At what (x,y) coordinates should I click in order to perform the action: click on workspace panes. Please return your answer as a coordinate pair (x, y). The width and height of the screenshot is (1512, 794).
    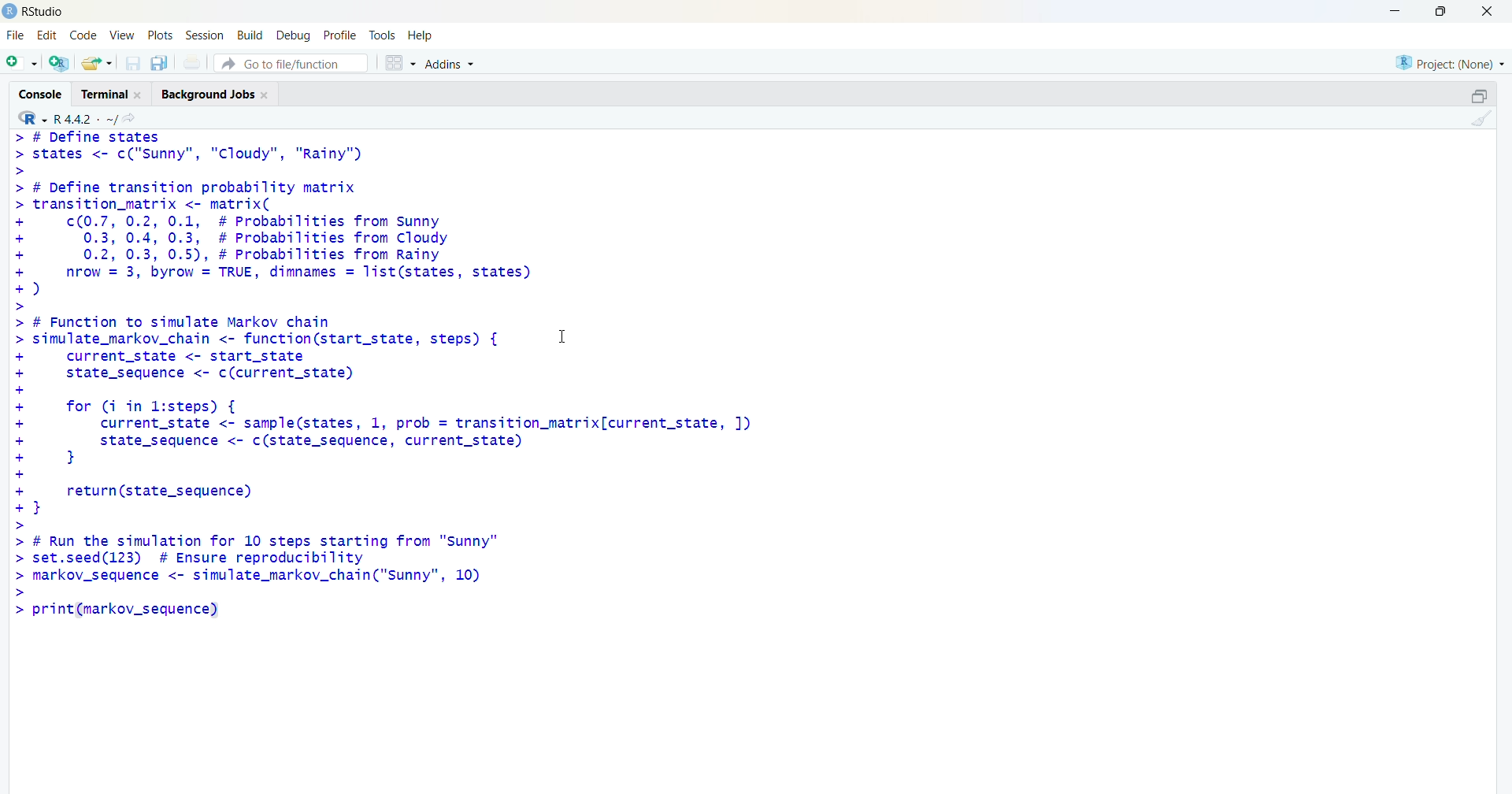
    Looking at the image, I should click on (399, 65).